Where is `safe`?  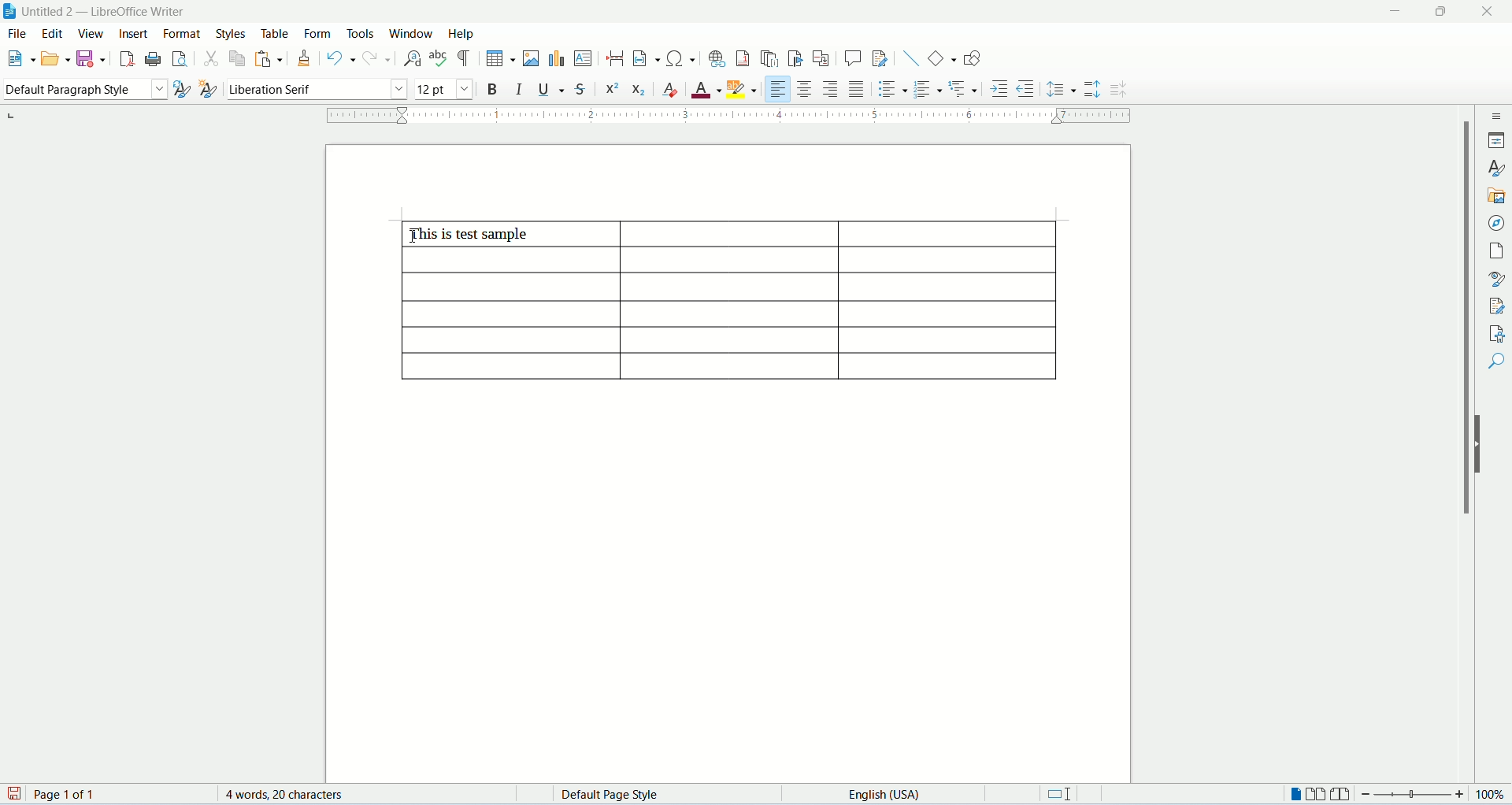
safe is located at coordinates (91, 58).